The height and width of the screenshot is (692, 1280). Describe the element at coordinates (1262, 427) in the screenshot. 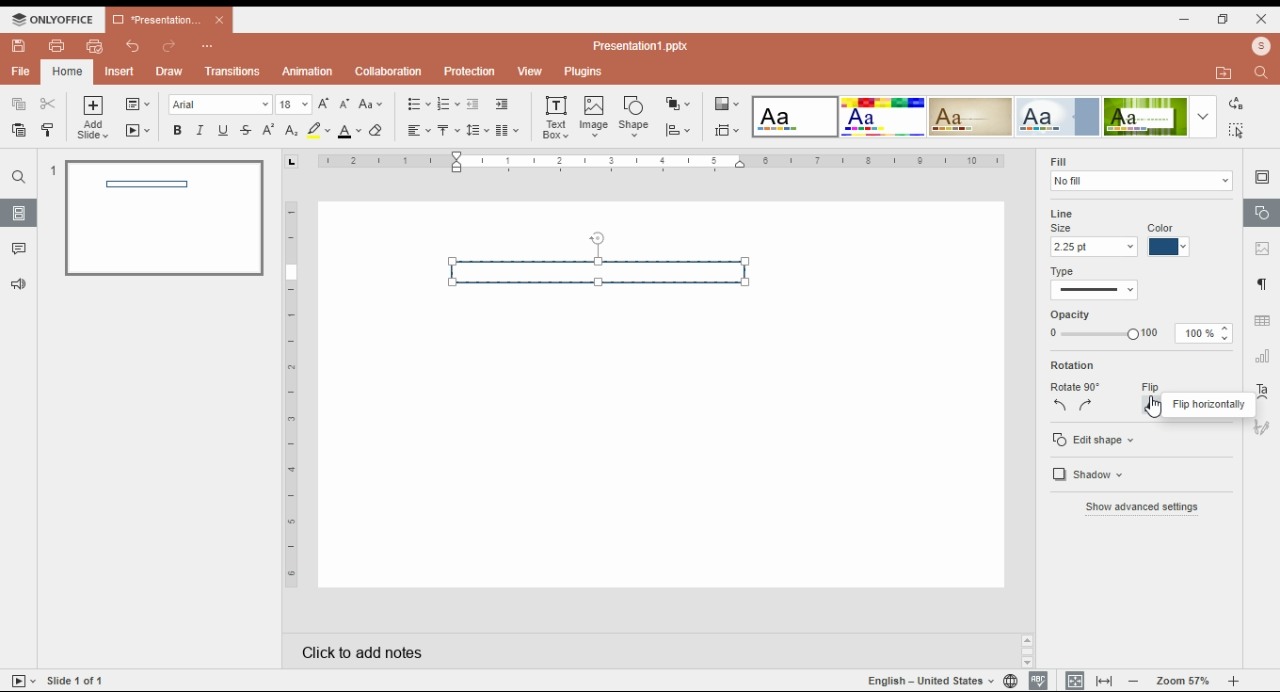

I see `signature settings` at that location.